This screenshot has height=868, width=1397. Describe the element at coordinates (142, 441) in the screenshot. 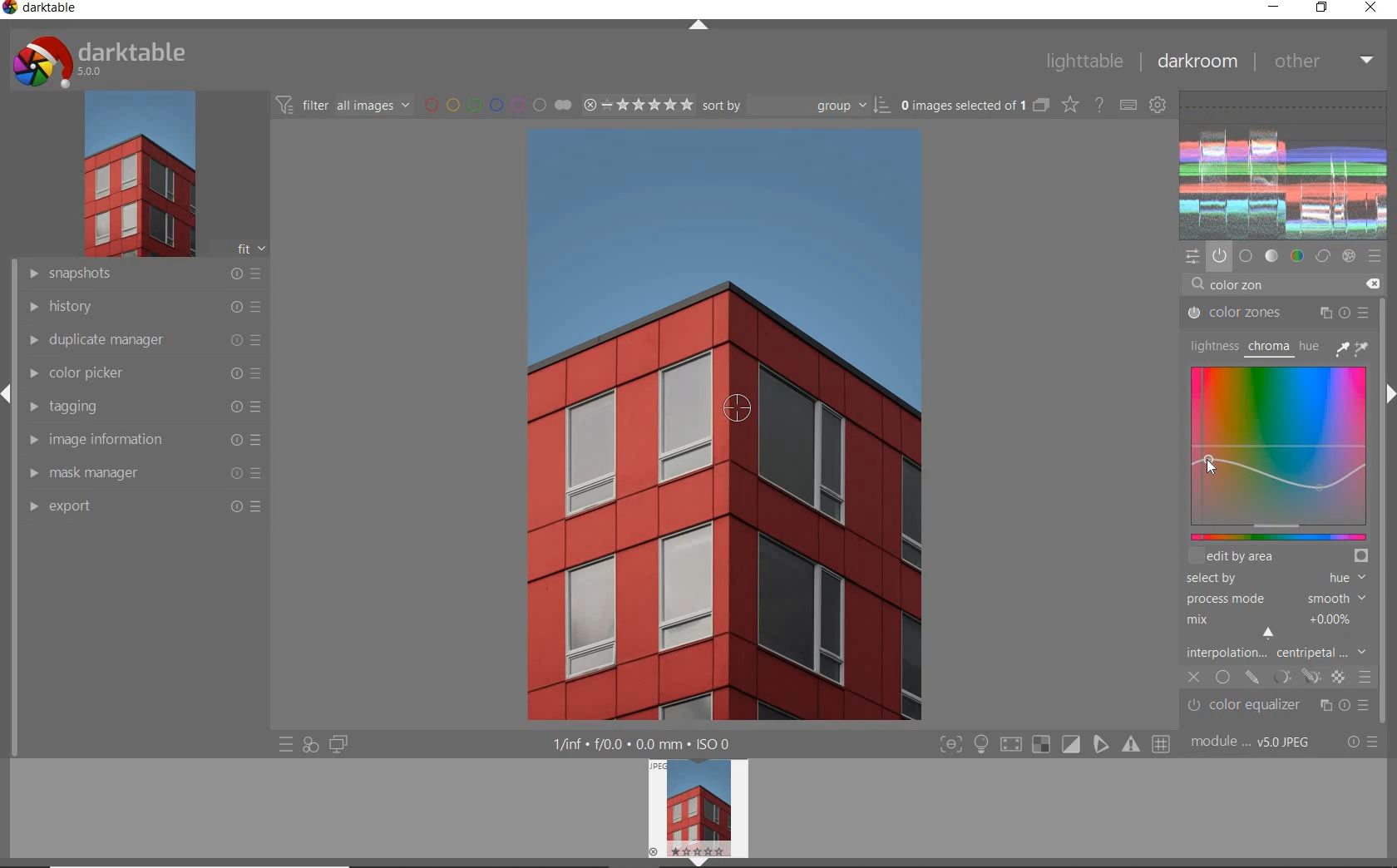

I see `image information` at that location.